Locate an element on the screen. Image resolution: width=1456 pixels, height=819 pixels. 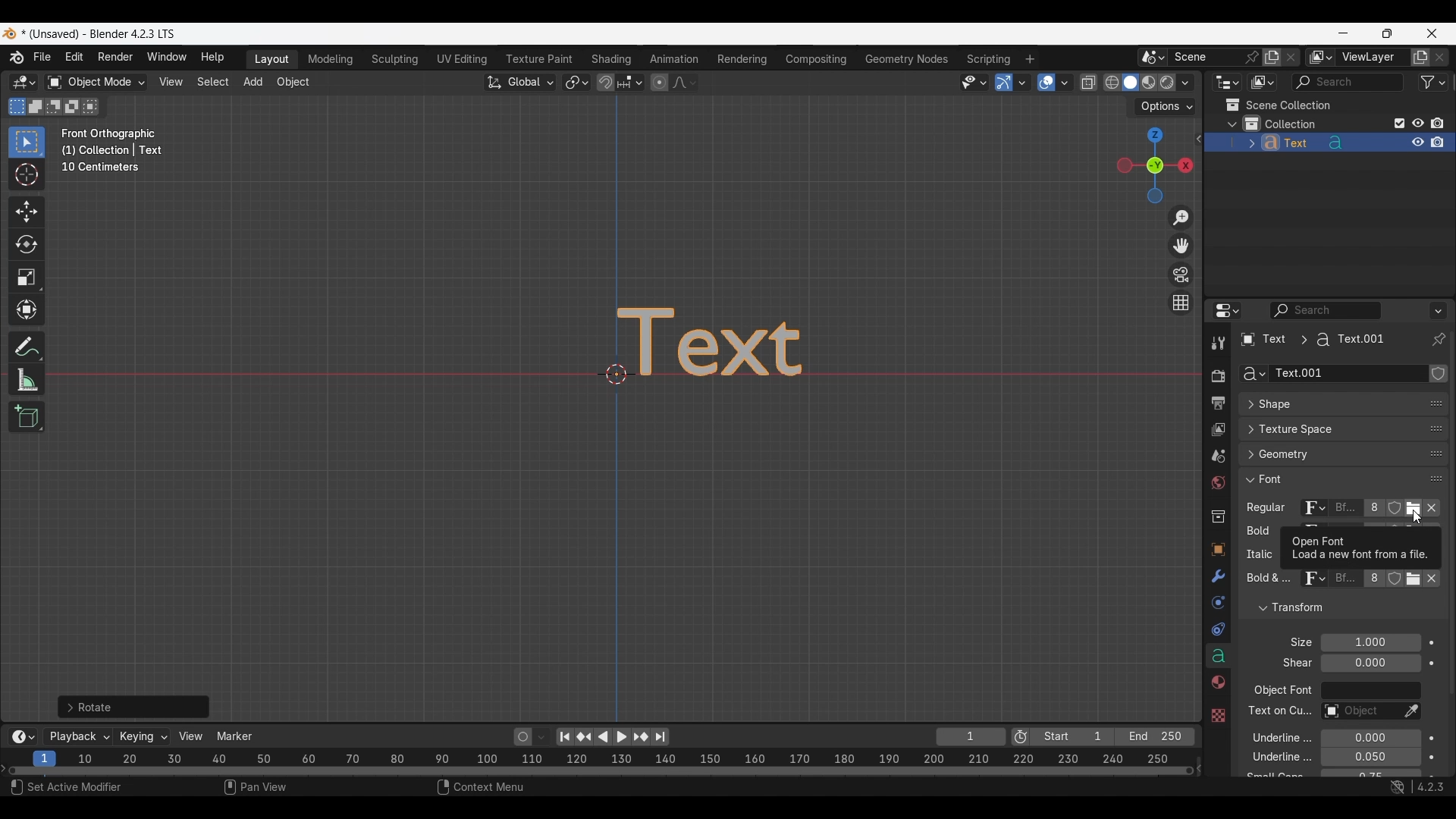
fake user is located at coordinates (1397, 585).